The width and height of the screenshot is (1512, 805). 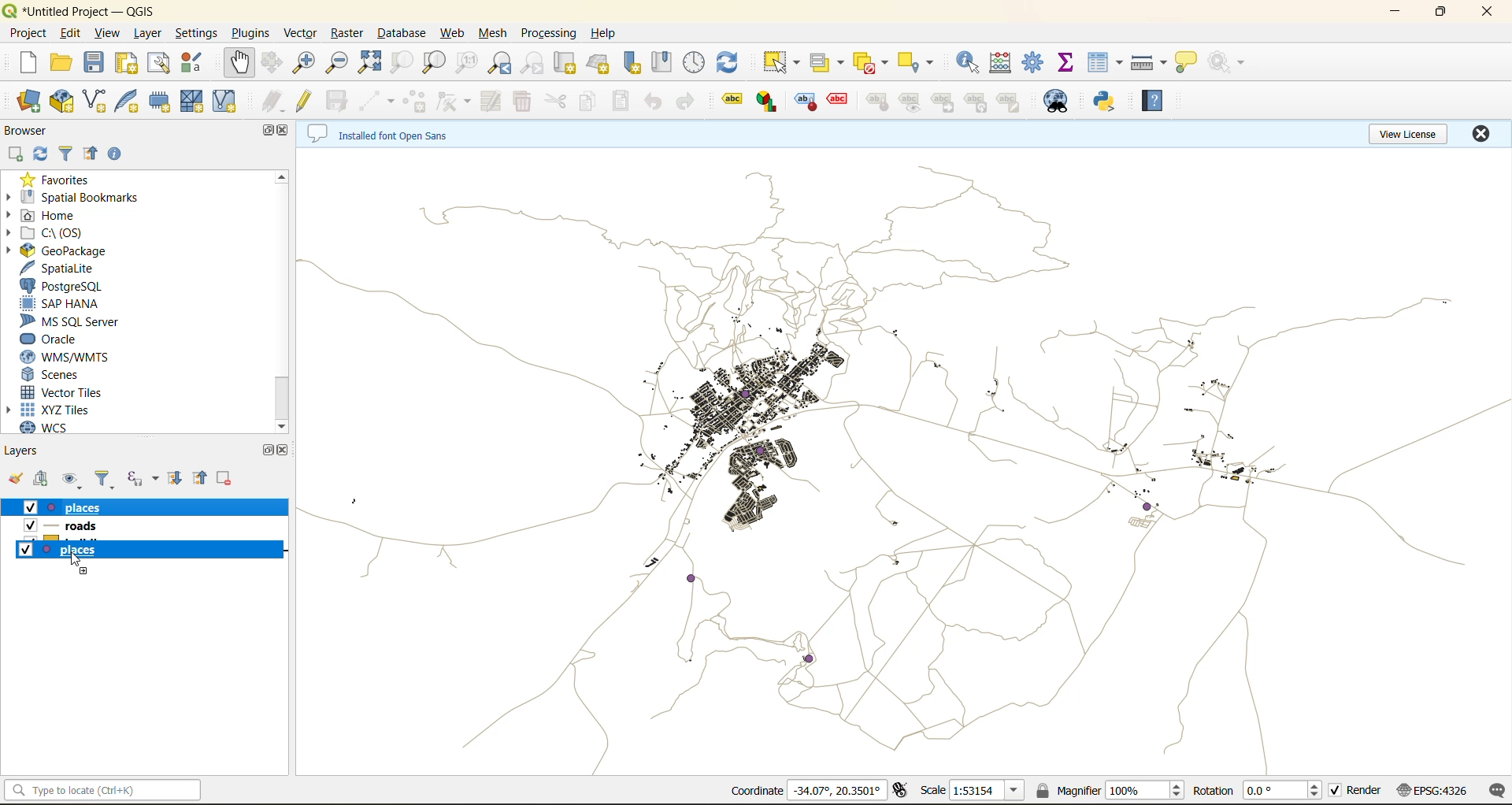 What do you see at coordinates (1430, 791) in the screenshot?
I see `crs` at bounding box center [1430, 791].